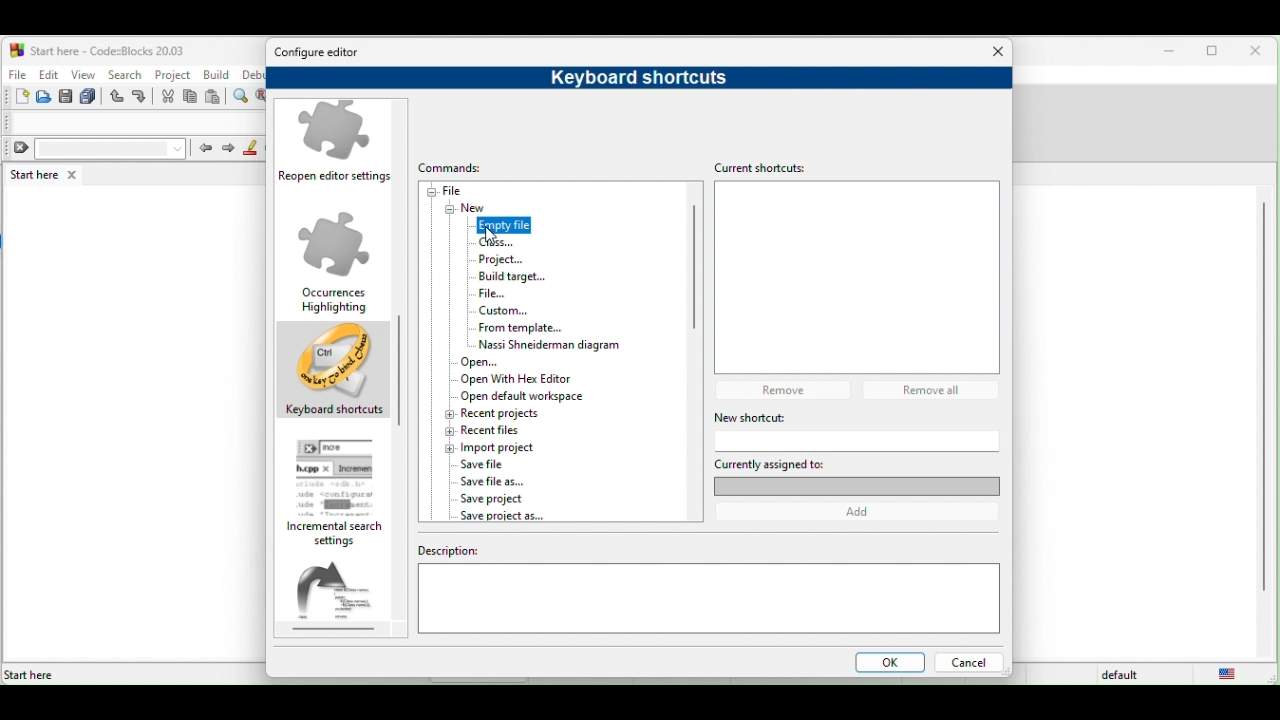  What do you see at coordinates (496, 481) in the screenshot?
I see `save file as` at bounding box center [496, 481].